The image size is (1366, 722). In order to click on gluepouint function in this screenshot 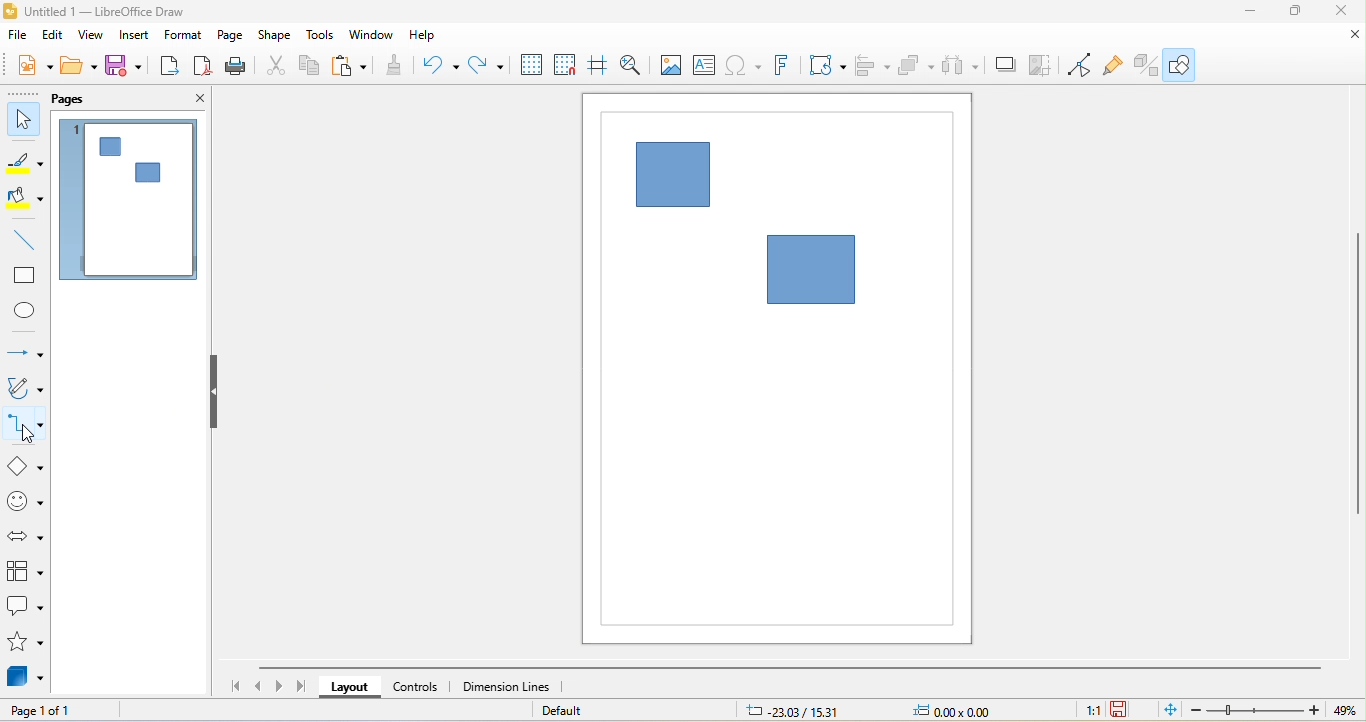, I will do `click(1117, 64)`.